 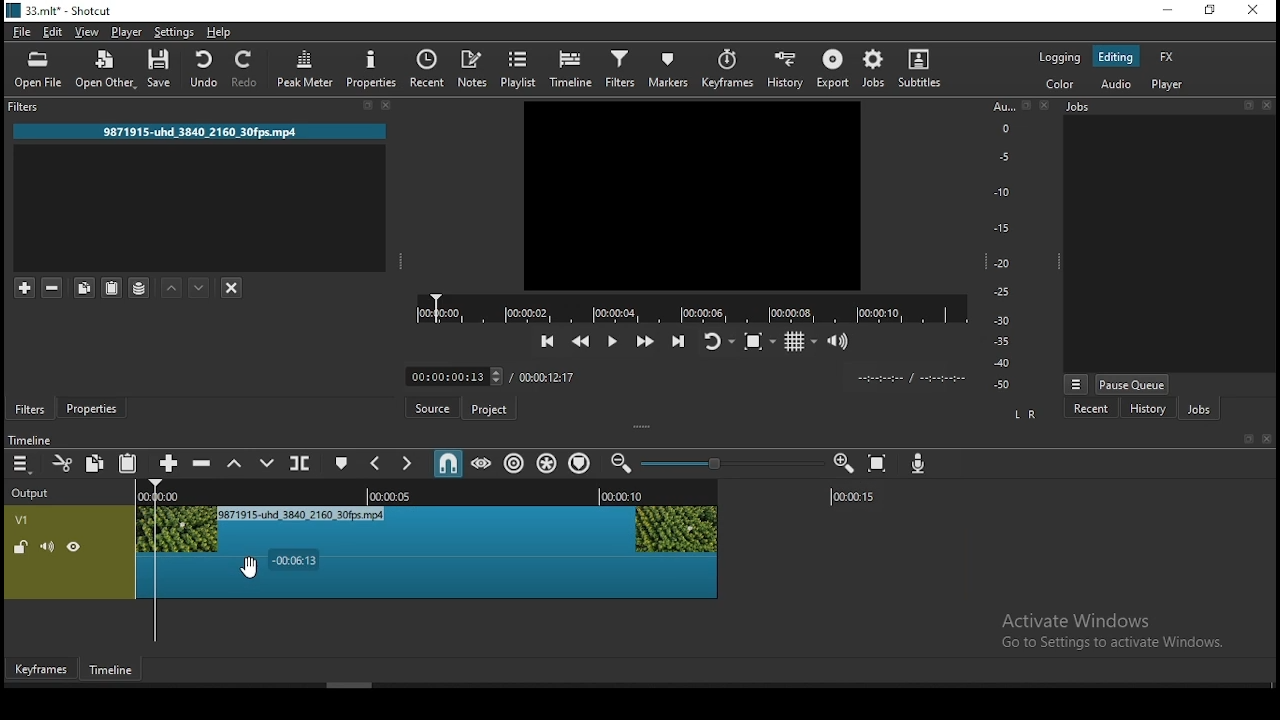 I want to click on player, so click(x=1171, y=86).